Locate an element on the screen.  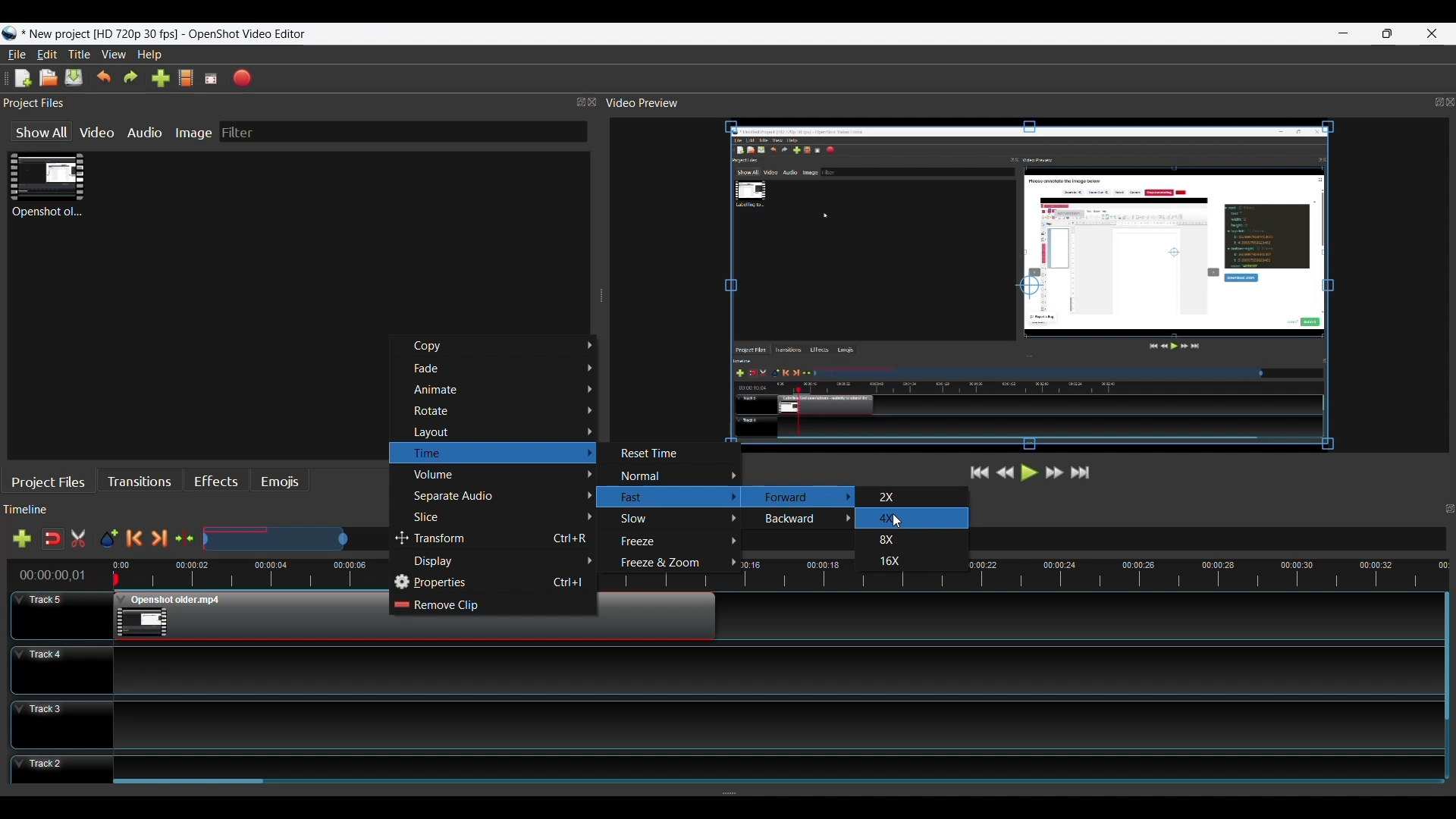
Save File is located at coordinates (74, 78).